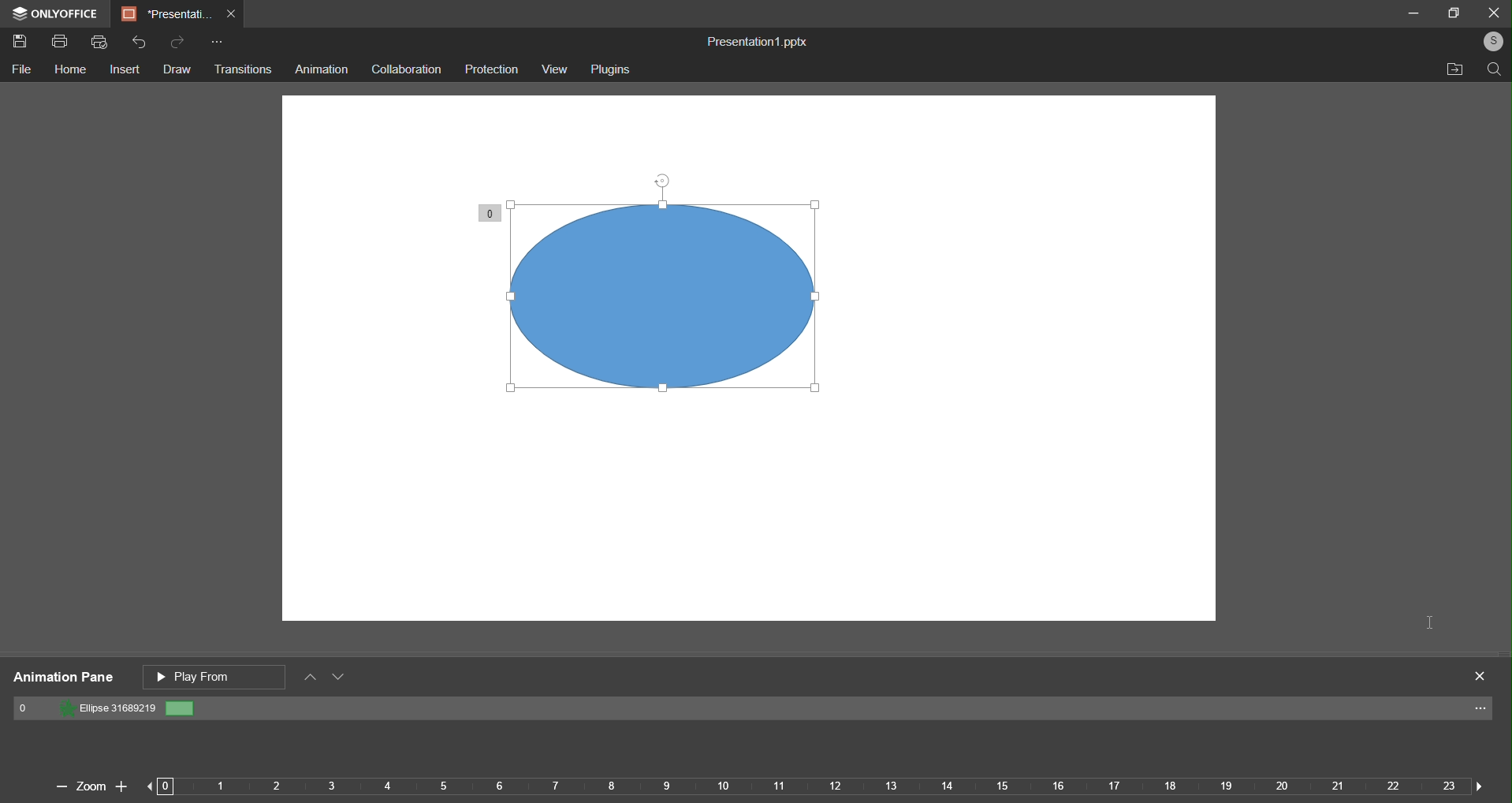  I want to click on Home, so click(69, 71).